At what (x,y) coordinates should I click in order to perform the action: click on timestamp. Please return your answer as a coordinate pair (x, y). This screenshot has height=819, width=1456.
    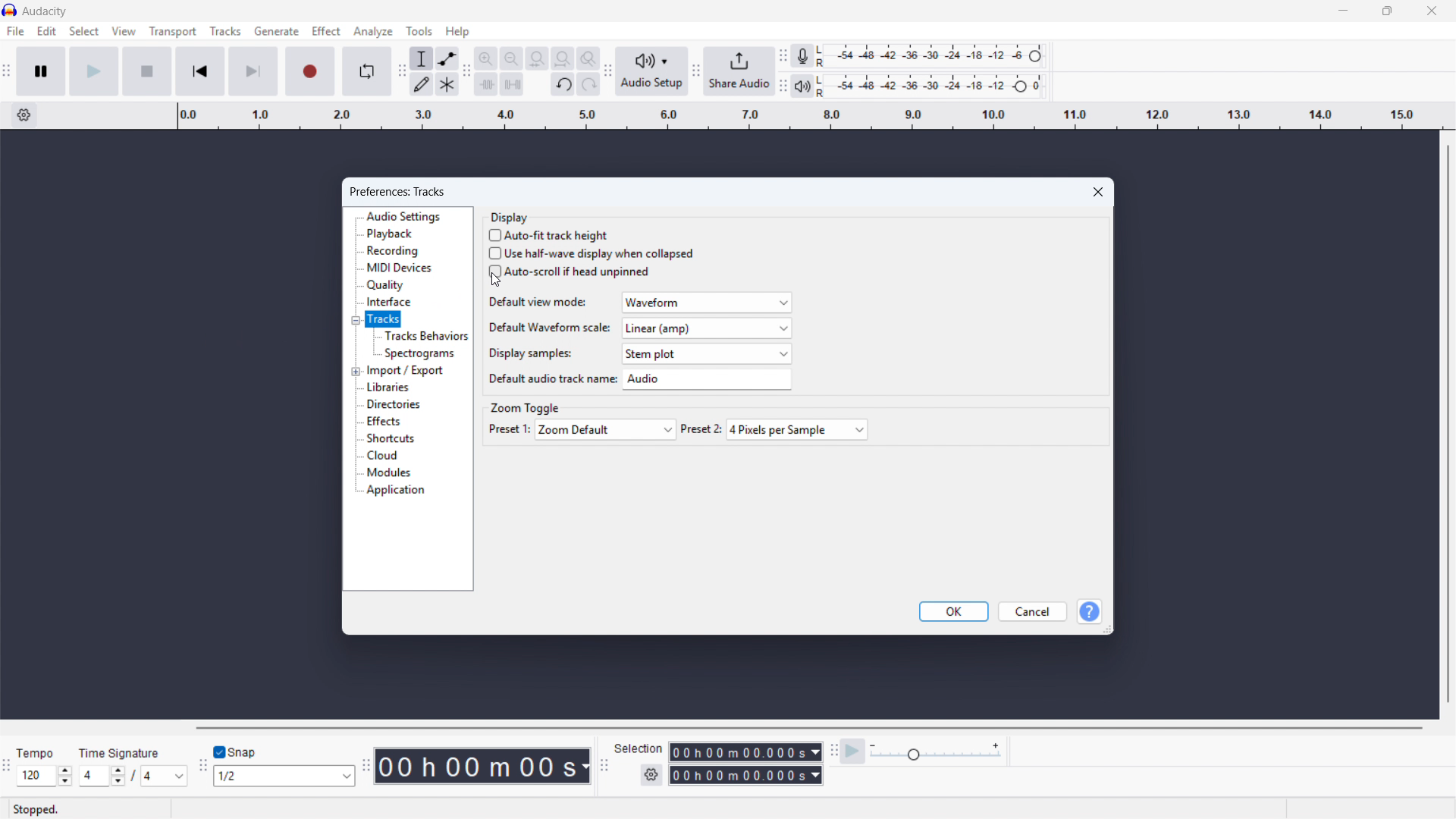
    Looking at the image, I should click on (483, 765).